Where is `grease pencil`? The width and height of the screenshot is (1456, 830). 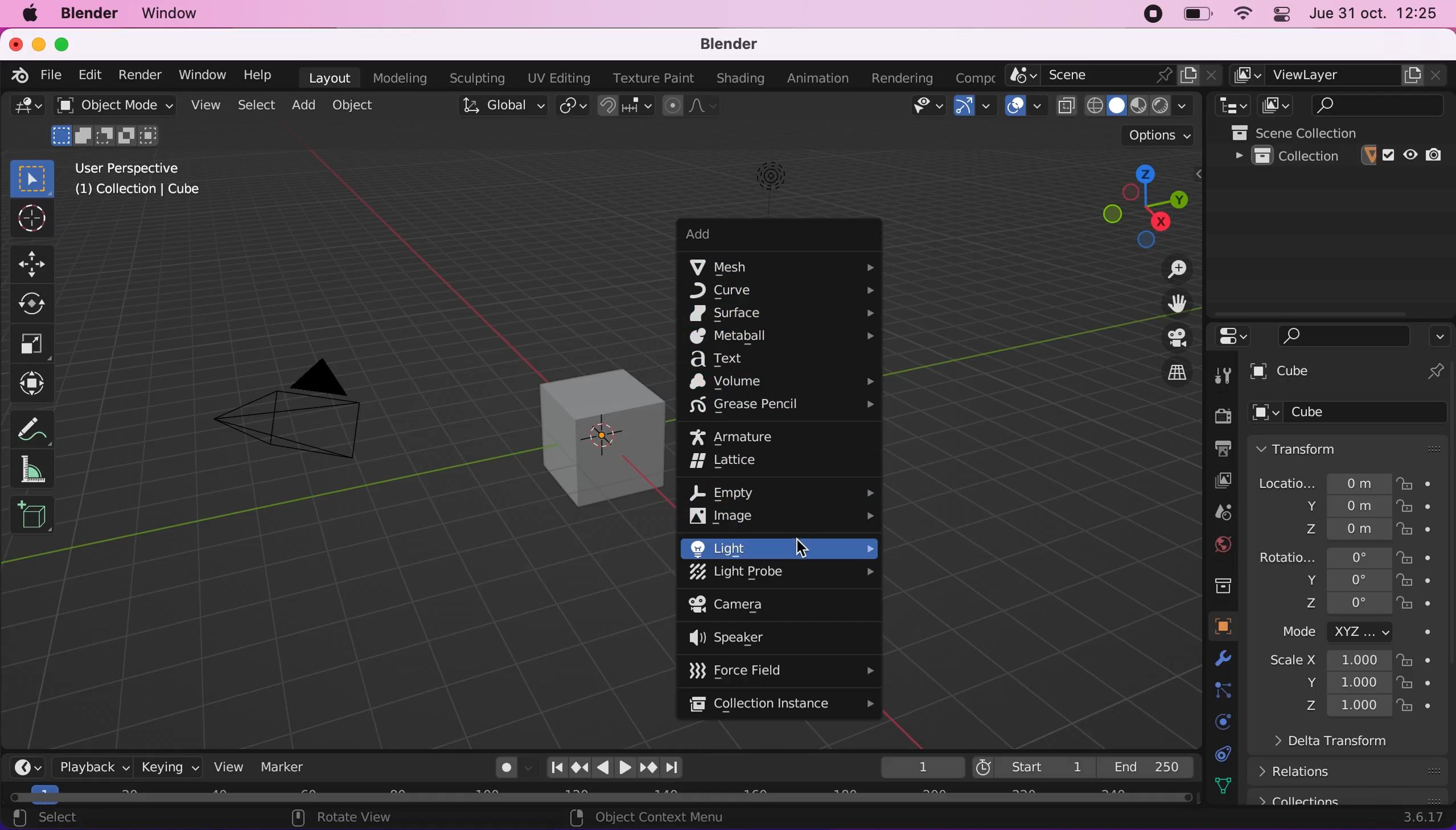 grease pencil is located at coordinates (785, 406).